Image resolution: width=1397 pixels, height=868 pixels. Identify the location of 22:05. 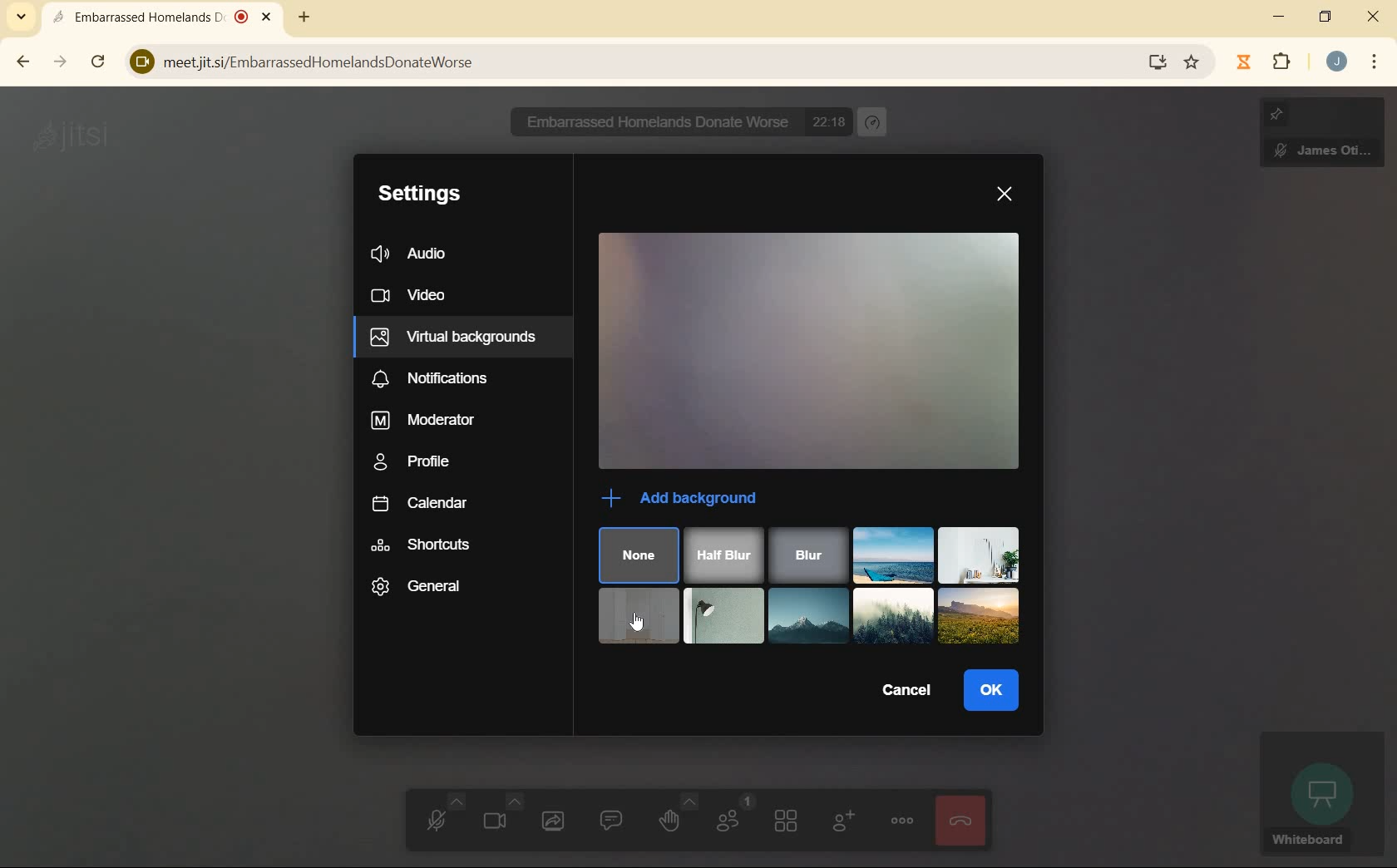
(831, 121).